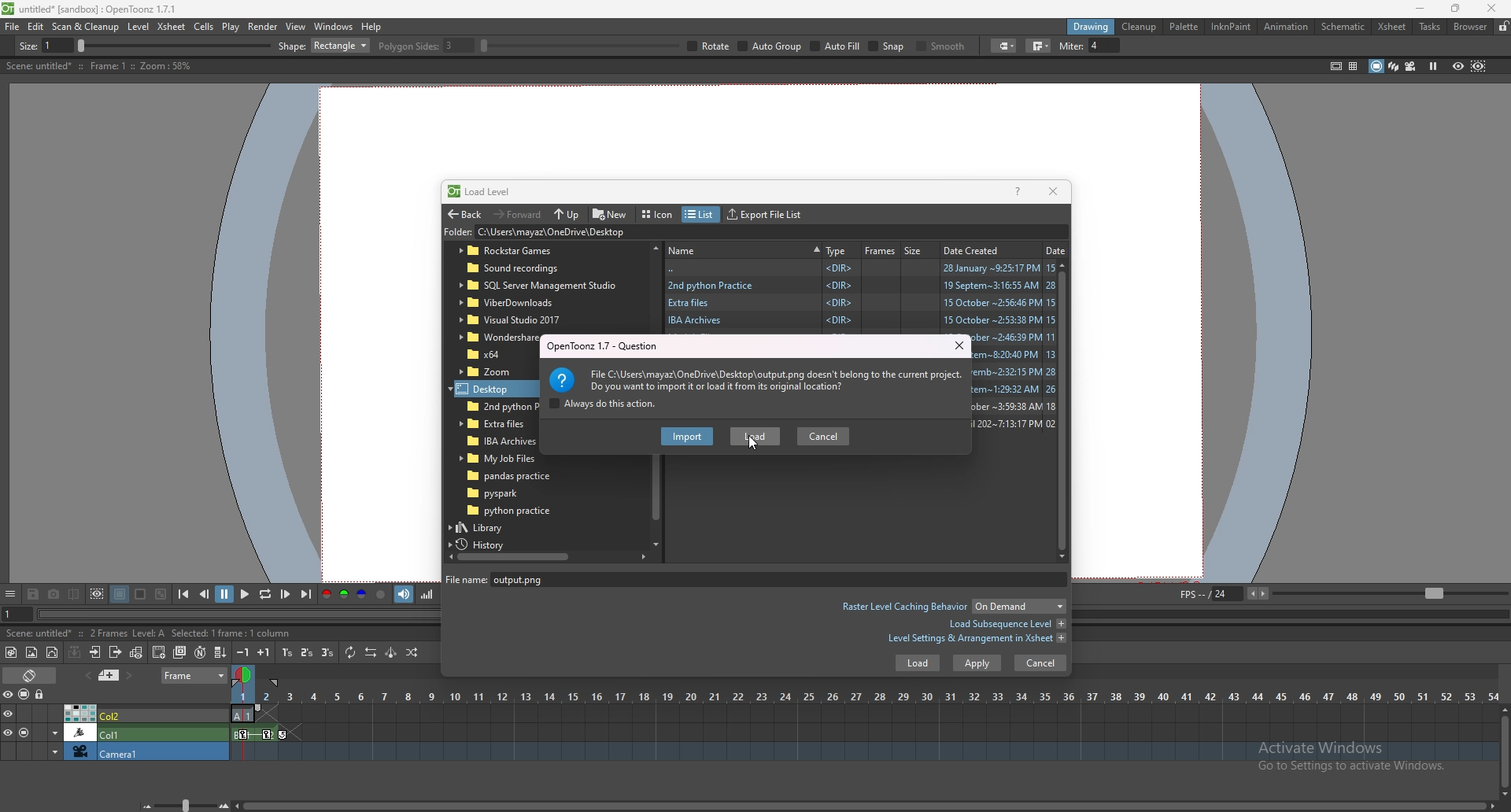 Image resolution: width=1511 pixels, height=812 pixels. I want to click on animation player, so click(242, 612).